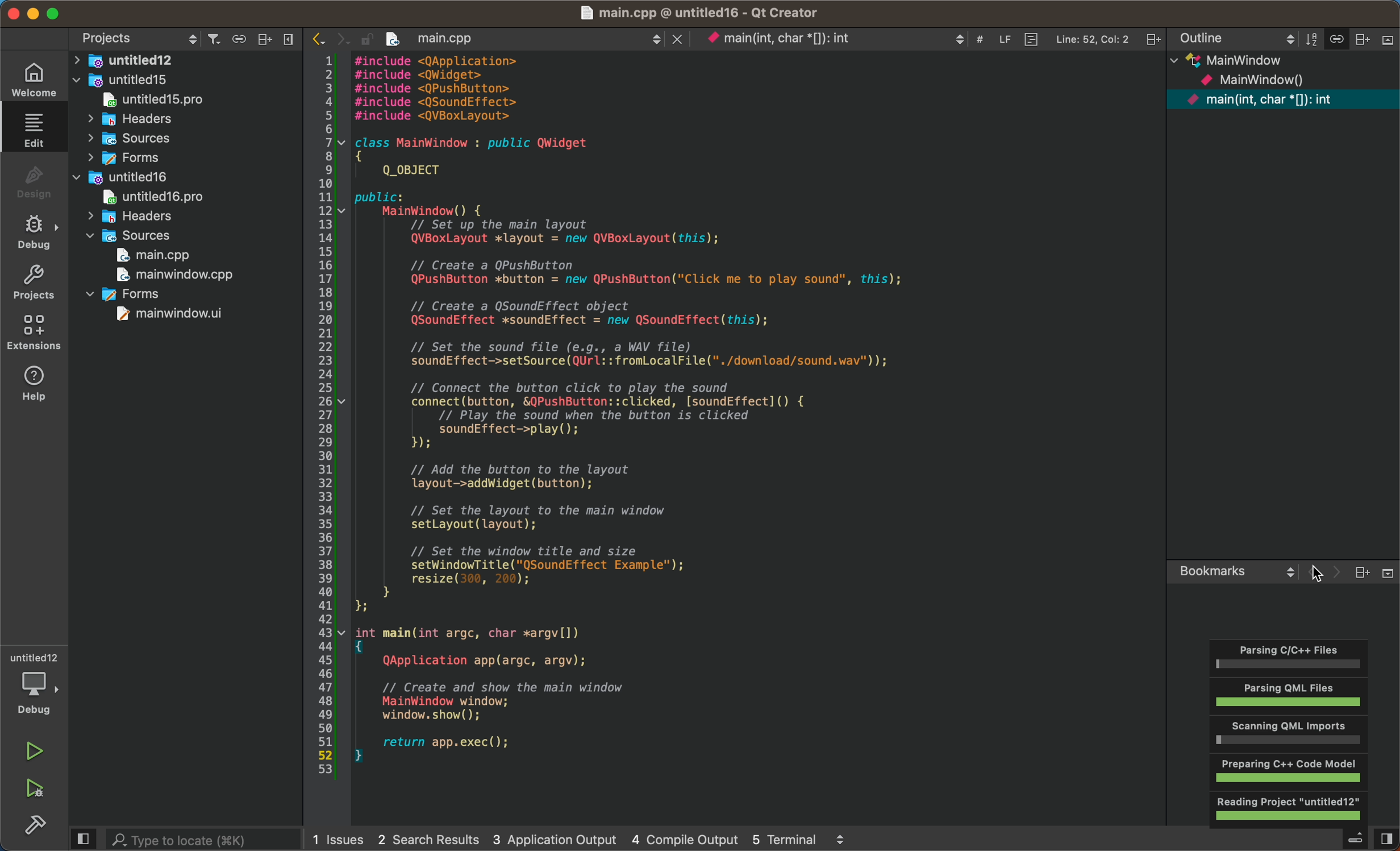 The height and width of the screenshot is (851, 1400). I want to click on projects, so click(139, 40).